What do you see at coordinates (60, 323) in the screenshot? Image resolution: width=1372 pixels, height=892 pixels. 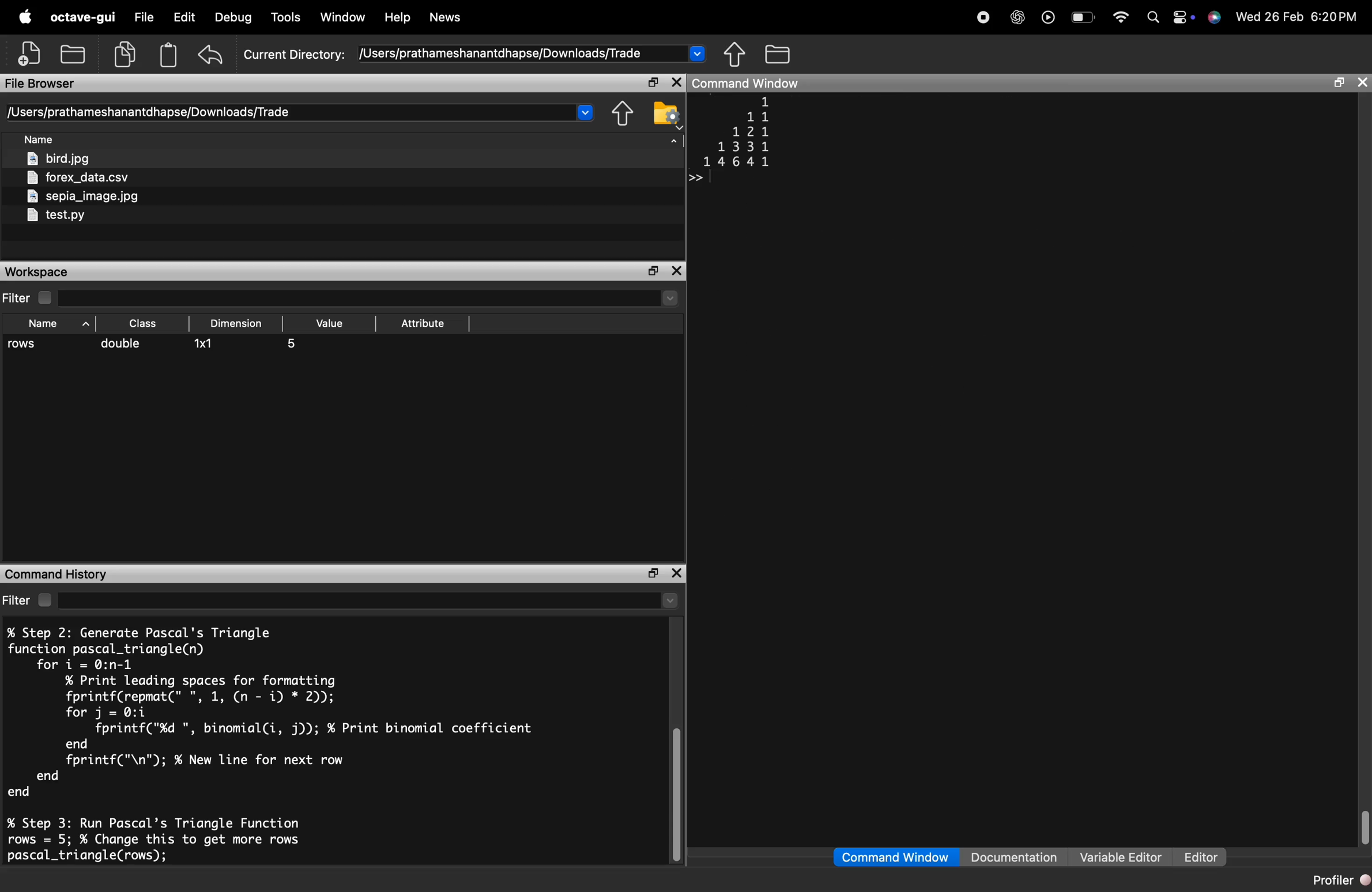 I see `Name` at bounding box center [60, 323].